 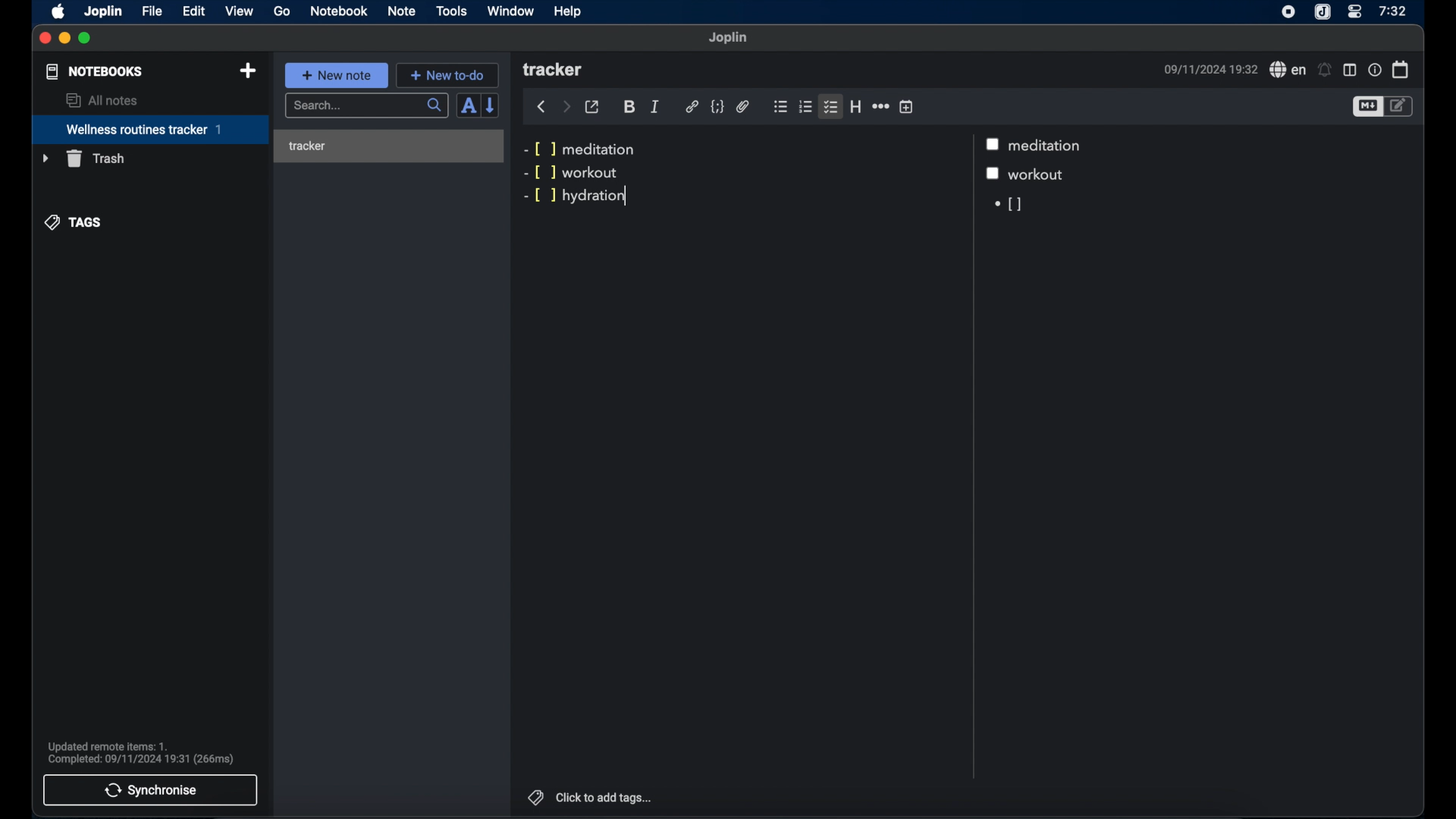 I want to click on [], so click(x=1011, y=204).